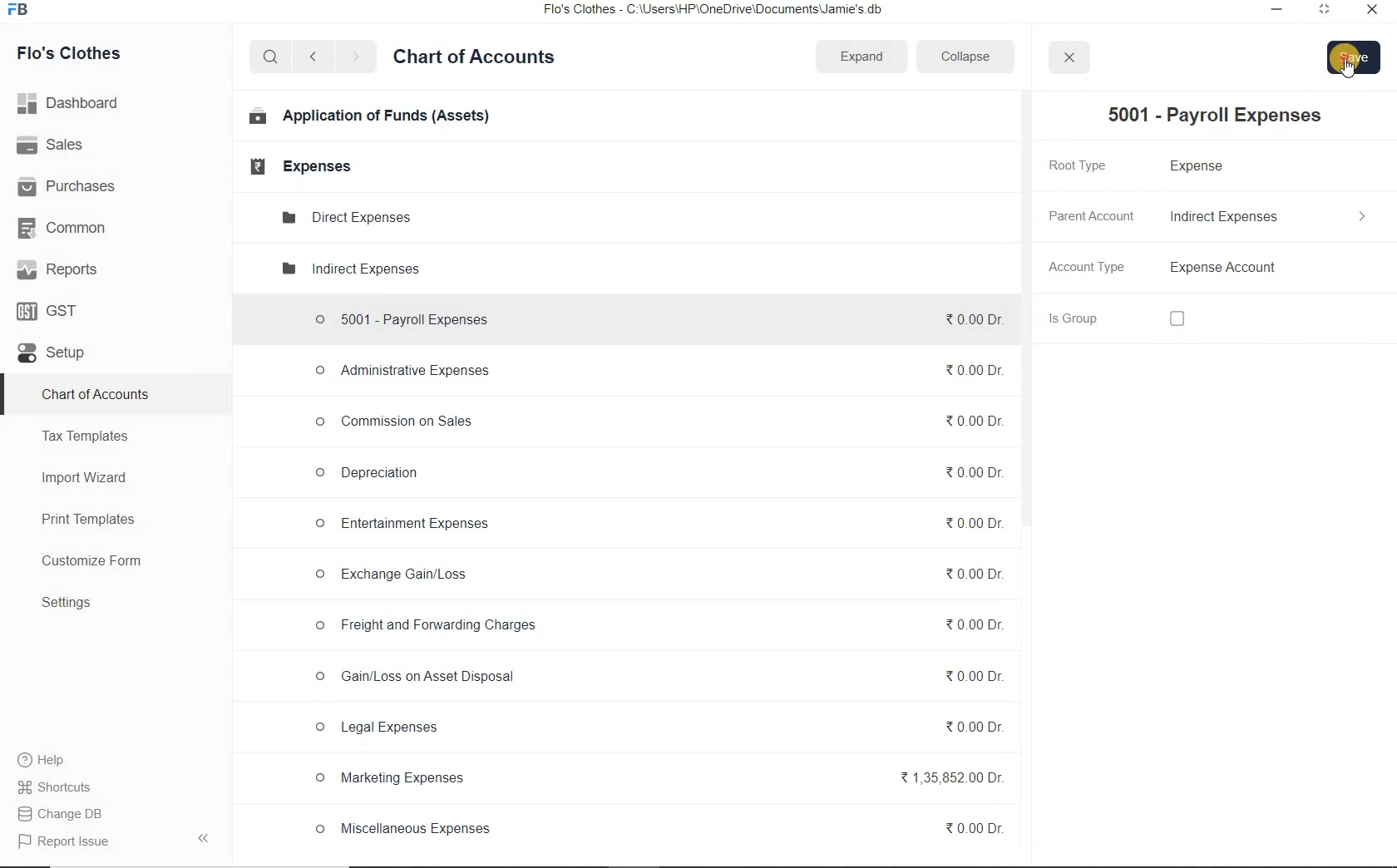  What do you see at coordinates (95, 396) in the screenshot?
I see `Chart of Accounts` at bounding box center [95, 396].